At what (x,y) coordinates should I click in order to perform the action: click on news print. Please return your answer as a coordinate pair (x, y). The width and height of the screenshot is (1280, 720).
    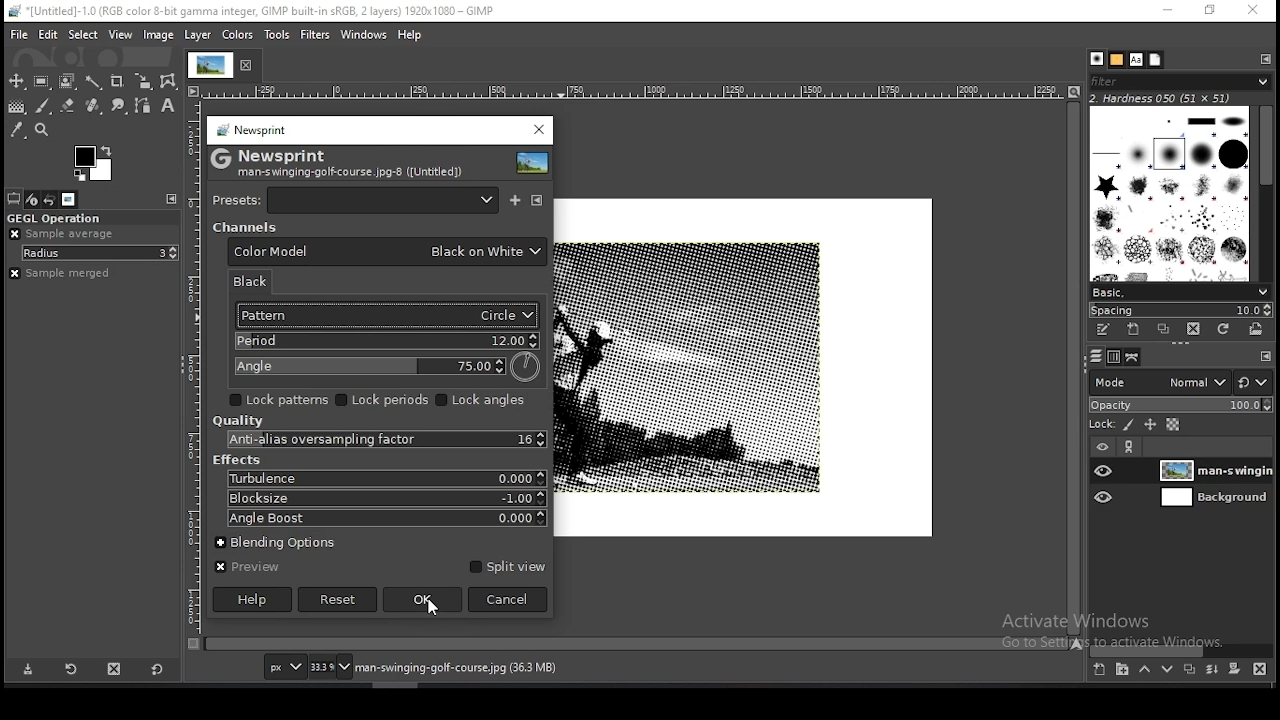
    Looking at the image, I should click on (252, 129).